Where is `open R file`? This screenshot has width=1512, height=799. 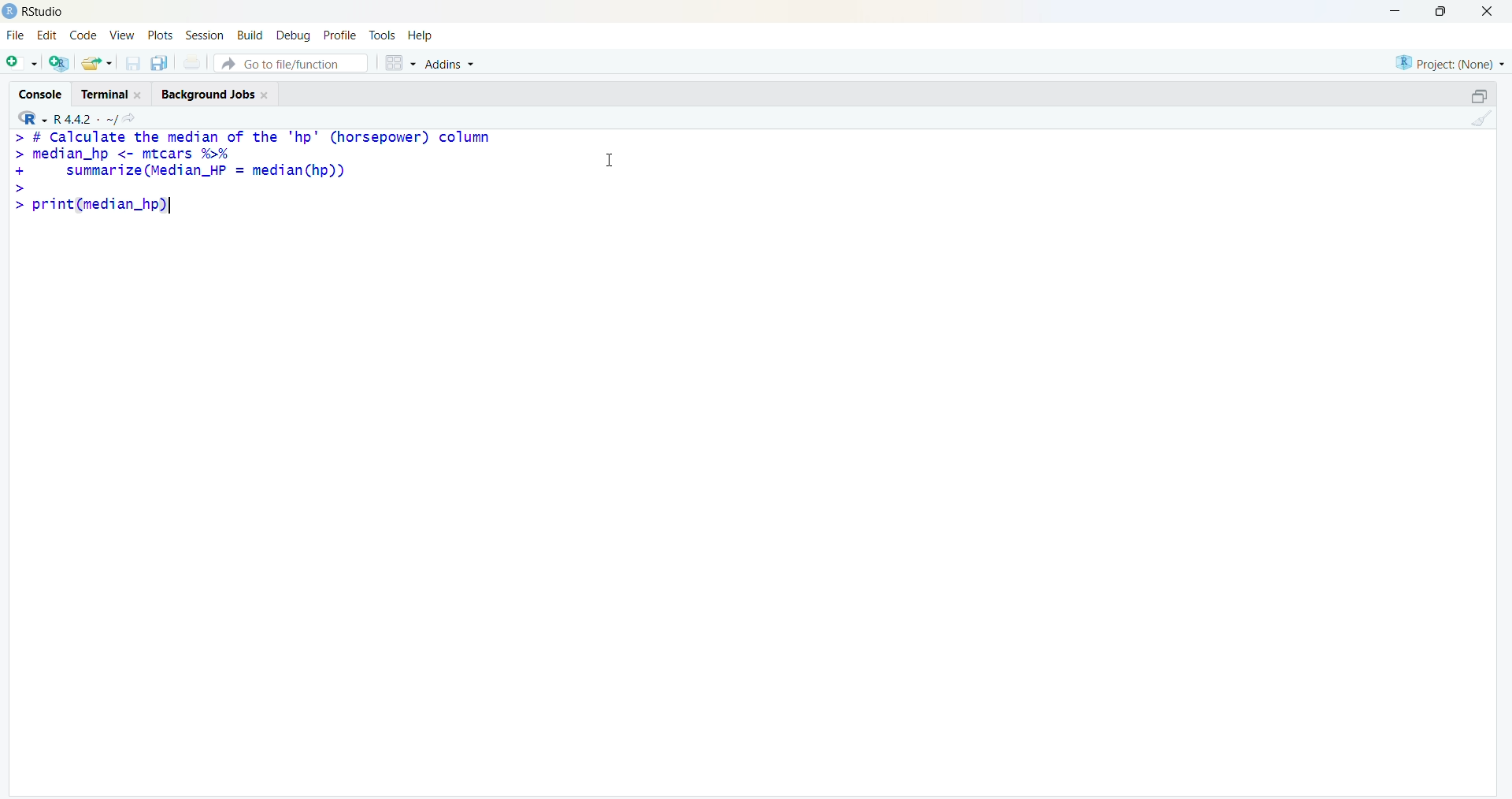
open R file is located at coordinates (58, 64).